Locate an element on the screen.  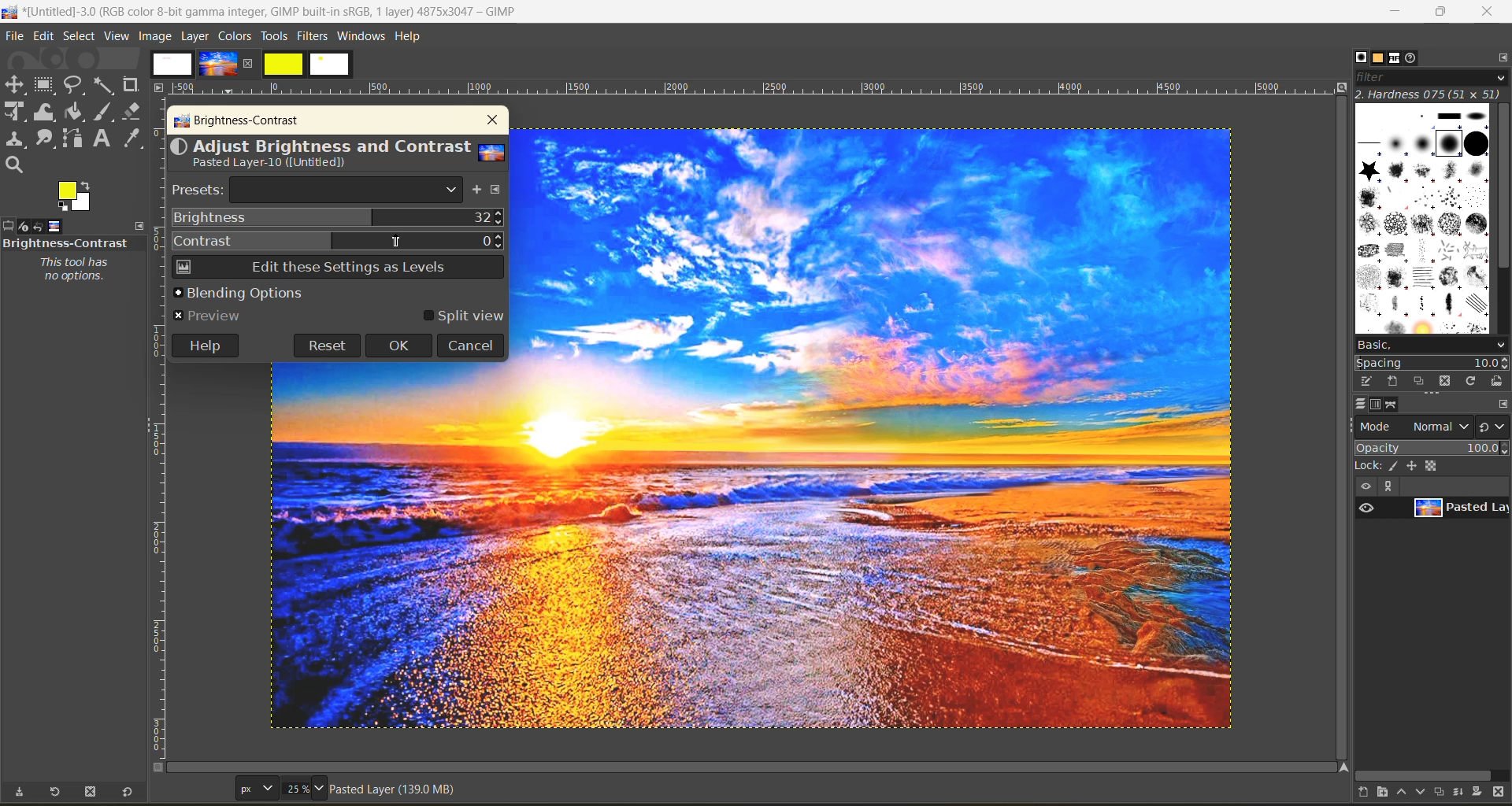
configure is located at coordinates (498, 191).